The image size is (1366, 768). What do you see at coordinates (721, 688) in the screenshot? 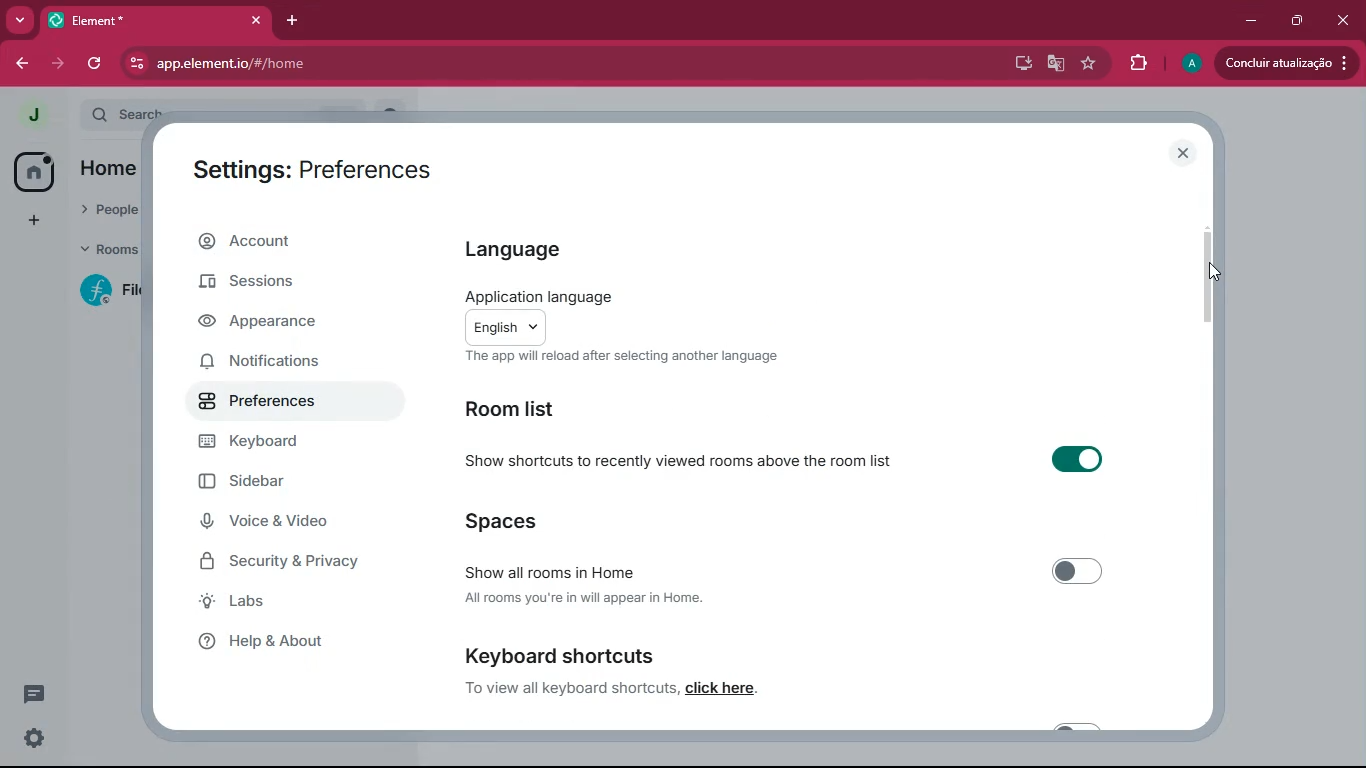
I see `click here` at bounding box center [721, 688].